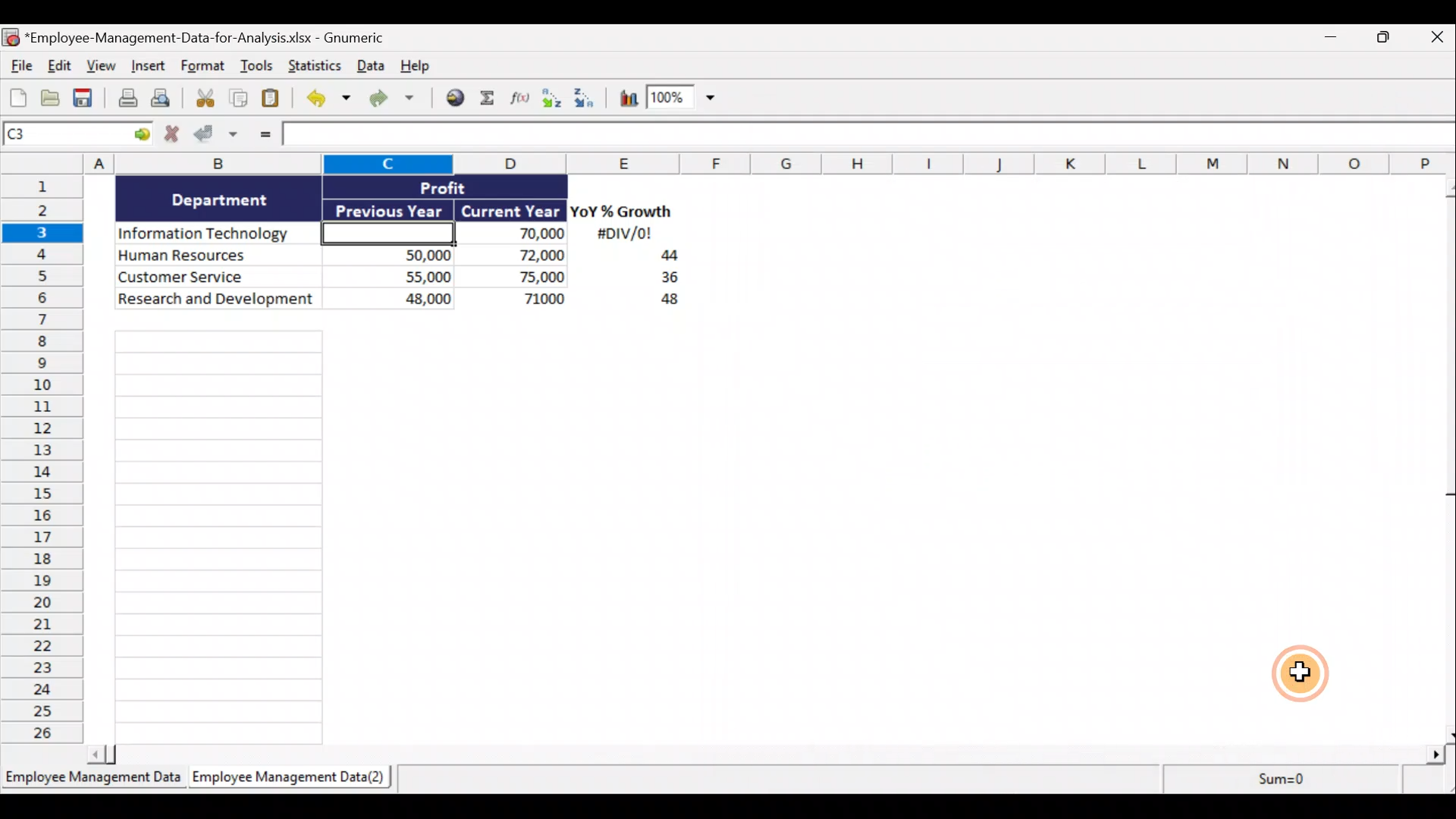  Describe the element at coordinates (622, 212) in the screenshot. I see `YoY% Growth` at that location.